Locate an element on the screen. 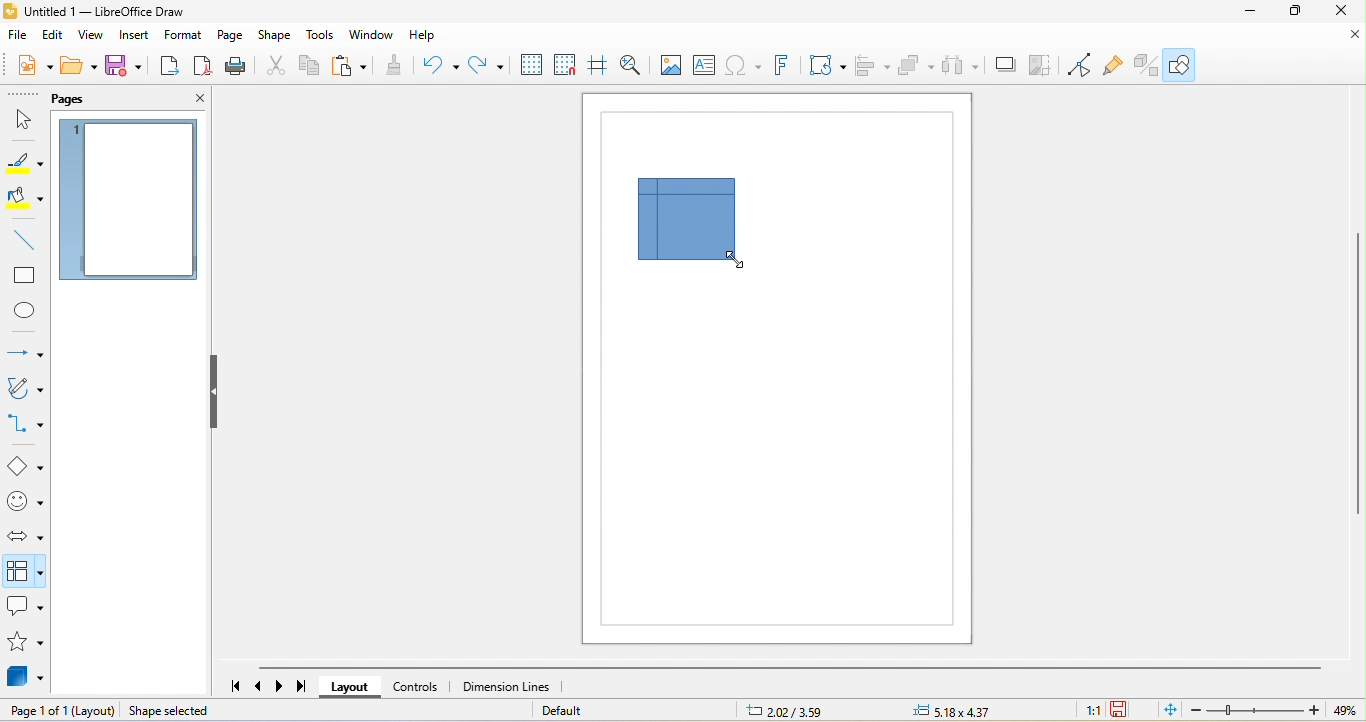 The height and width of the screenshot is (722, 1366). insert is located at coordinates (136, 38).